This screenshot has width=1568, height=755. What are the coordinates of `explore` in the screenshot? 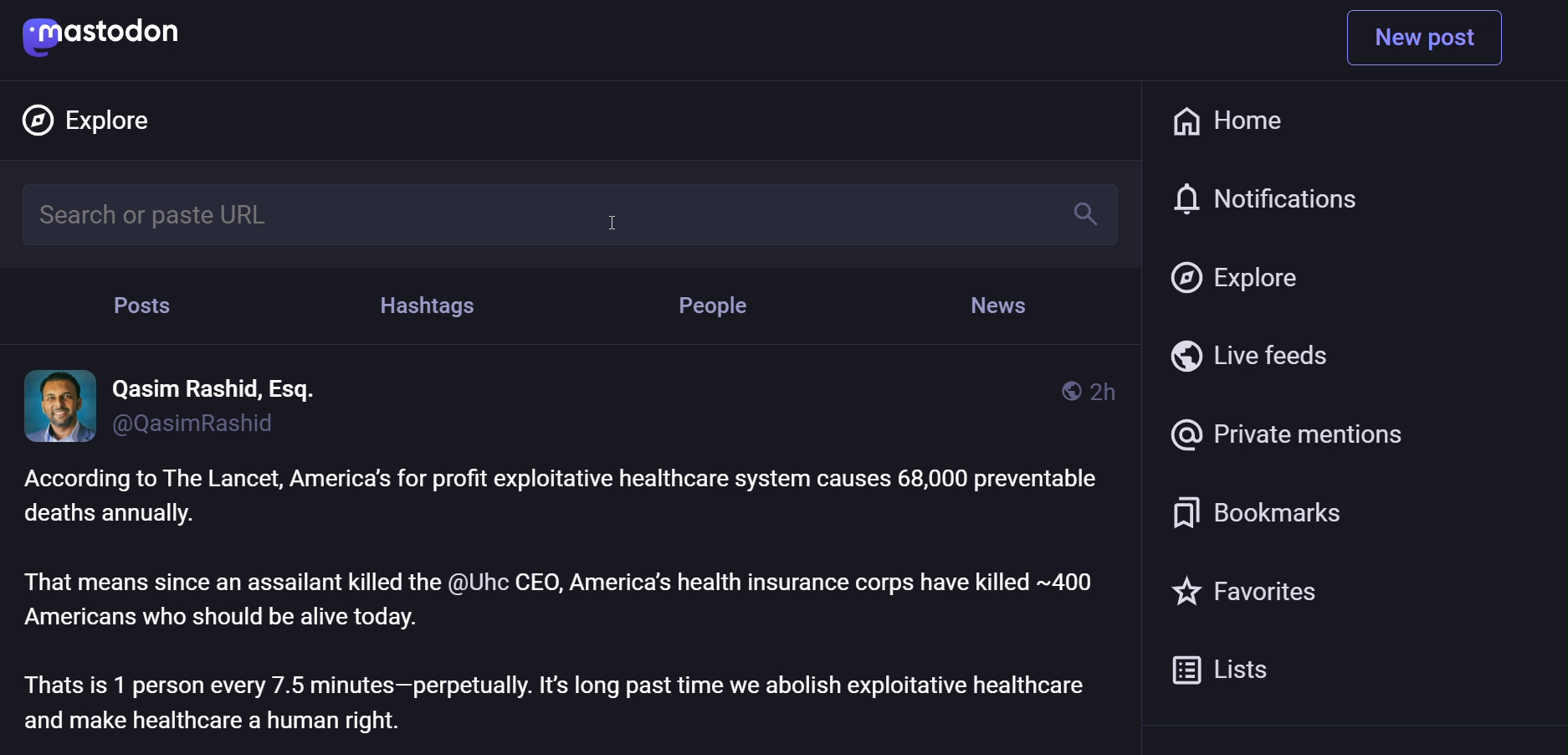 It's located at (1237, 275).